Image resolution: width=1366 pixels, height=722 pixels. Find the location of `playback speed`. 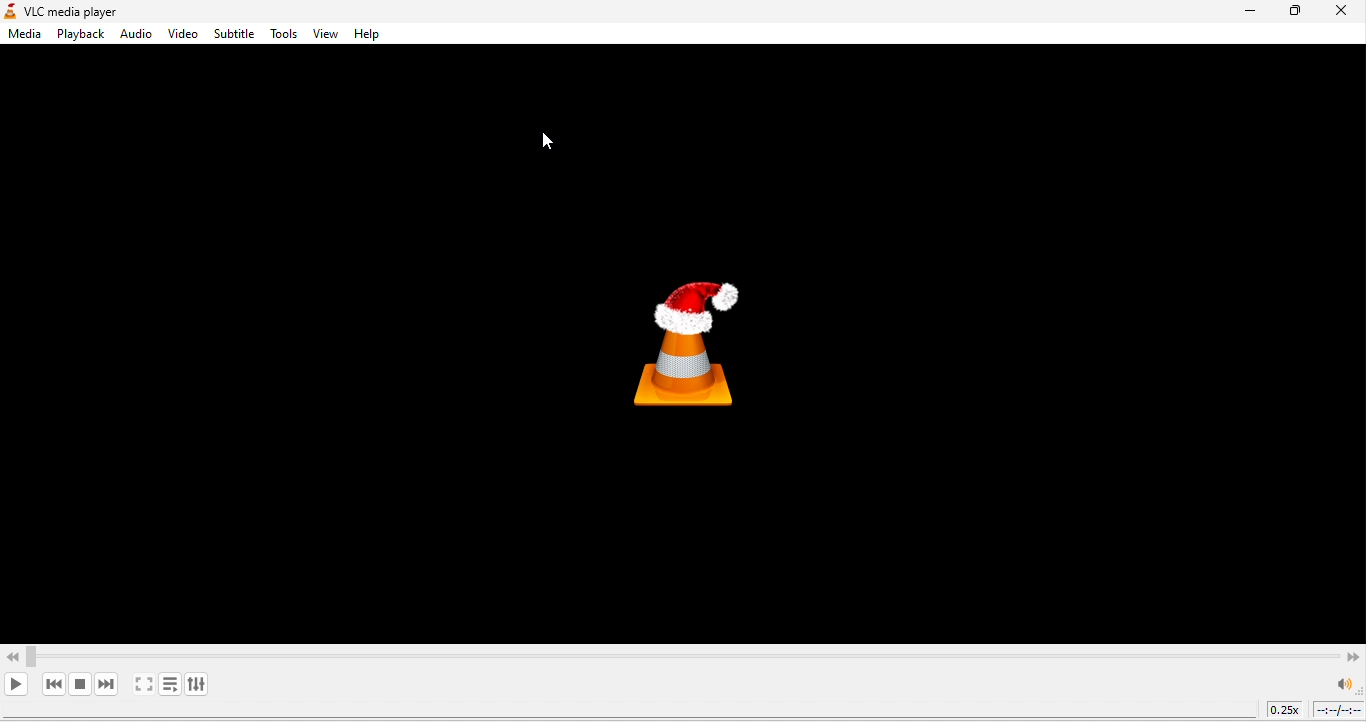

playback speed is located at coordinates (1285, 711).